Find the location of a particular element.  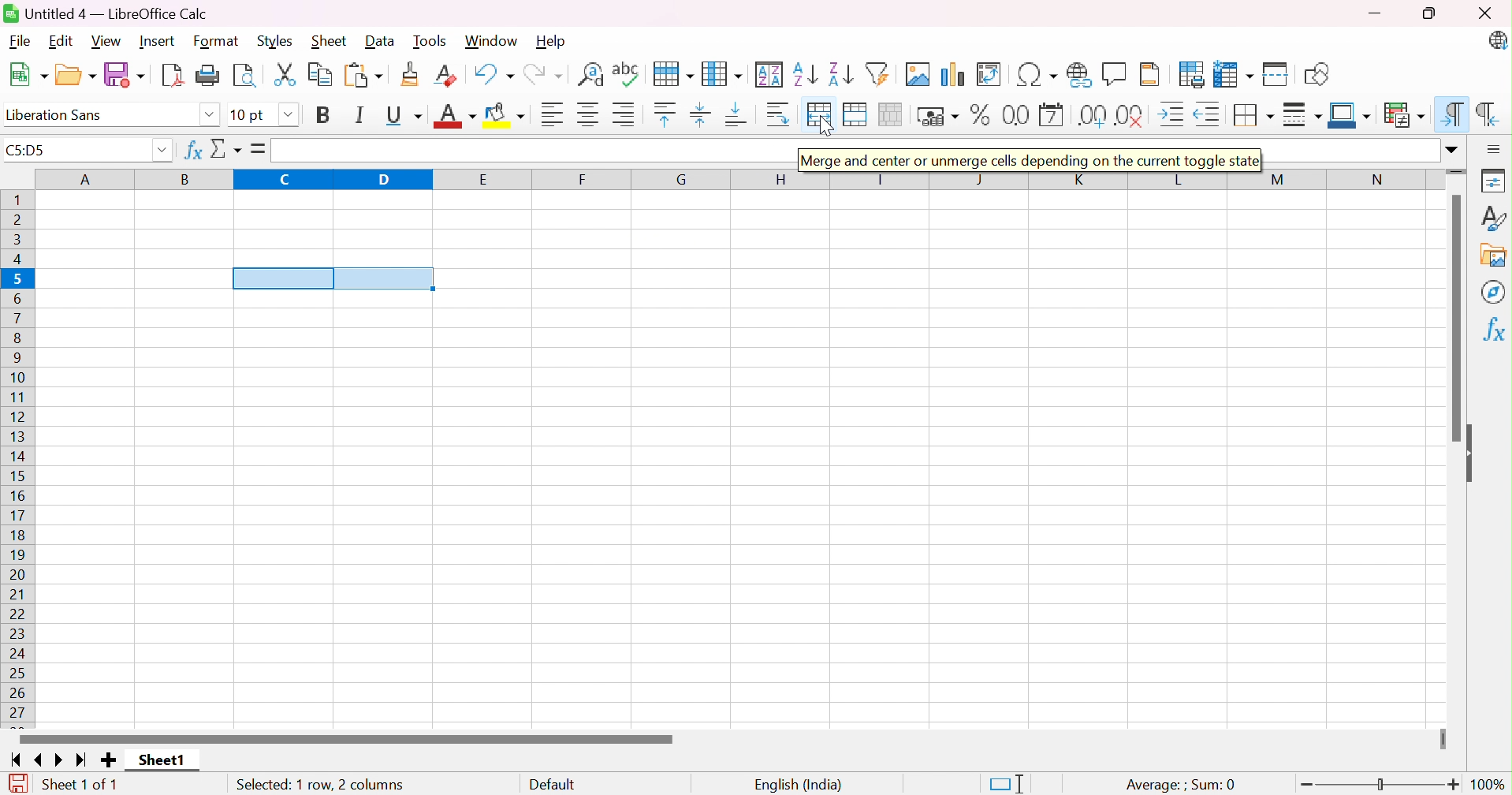

Column is located at coordinates (724, 71).